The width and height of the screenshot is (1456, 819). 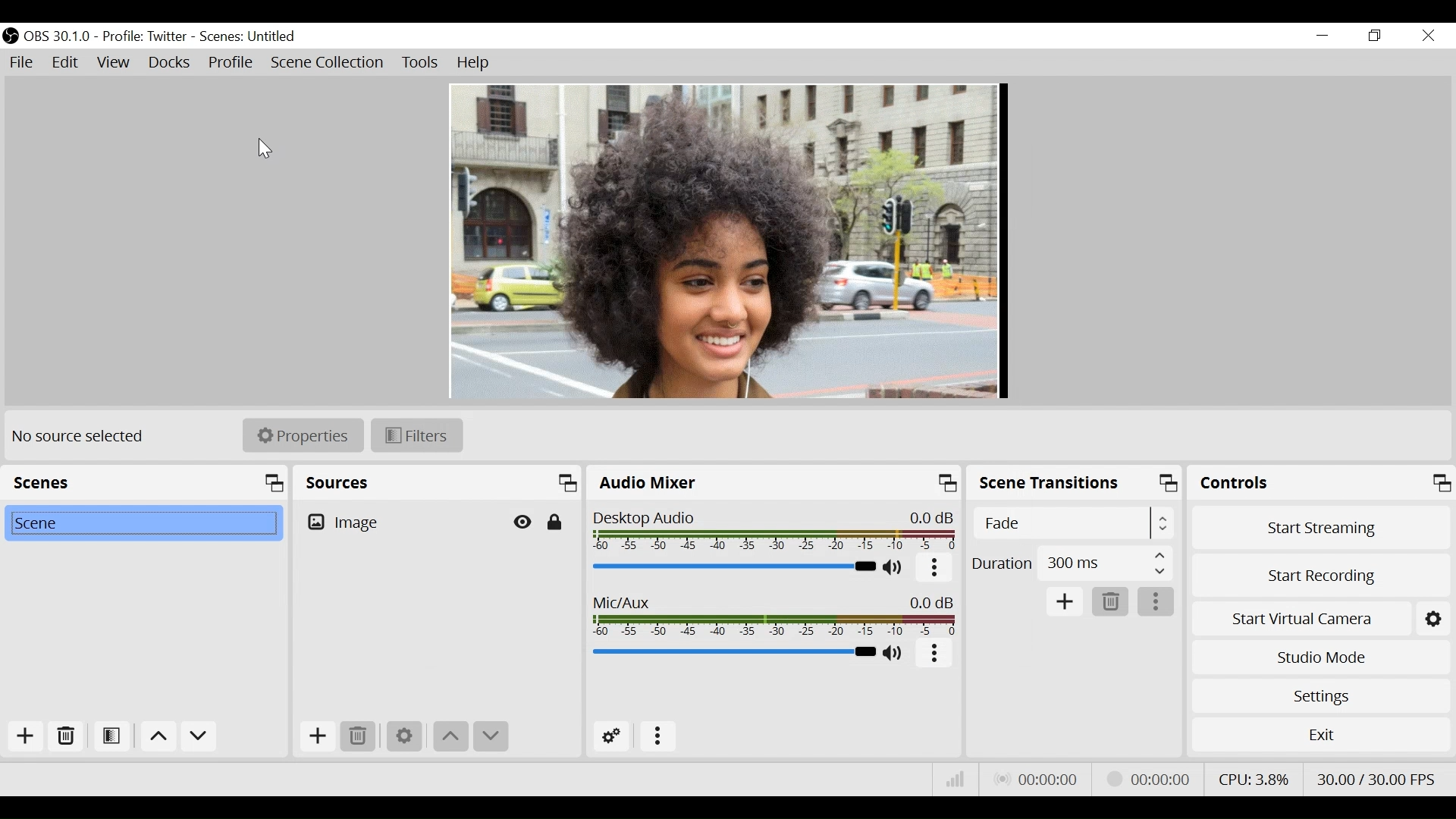 What do you see at coordinates (303, 436) in the screenshot?
I see `Properties` at bounding box center [303, 436].